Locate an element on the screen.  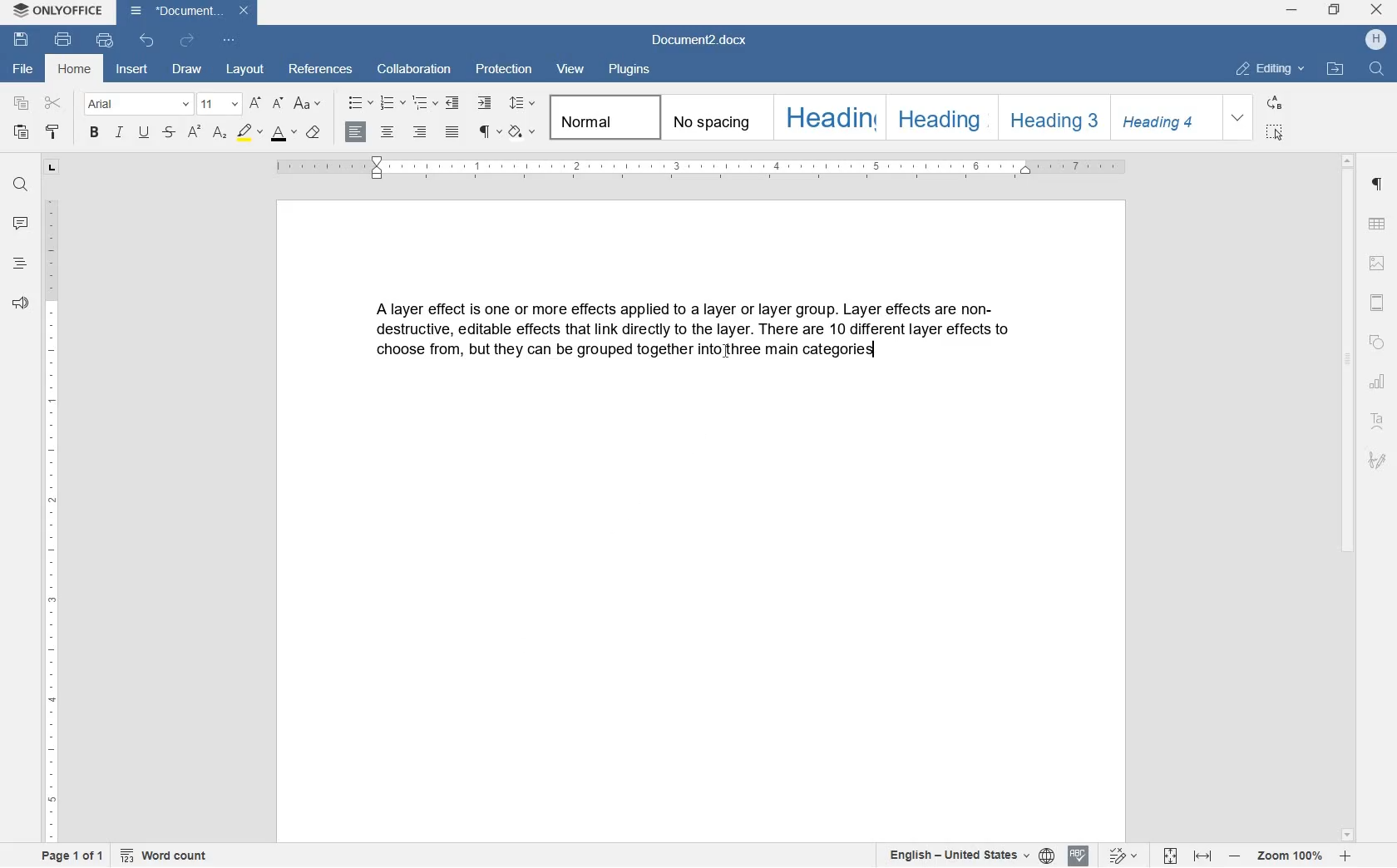
undo is located at coordinates (148, 42).